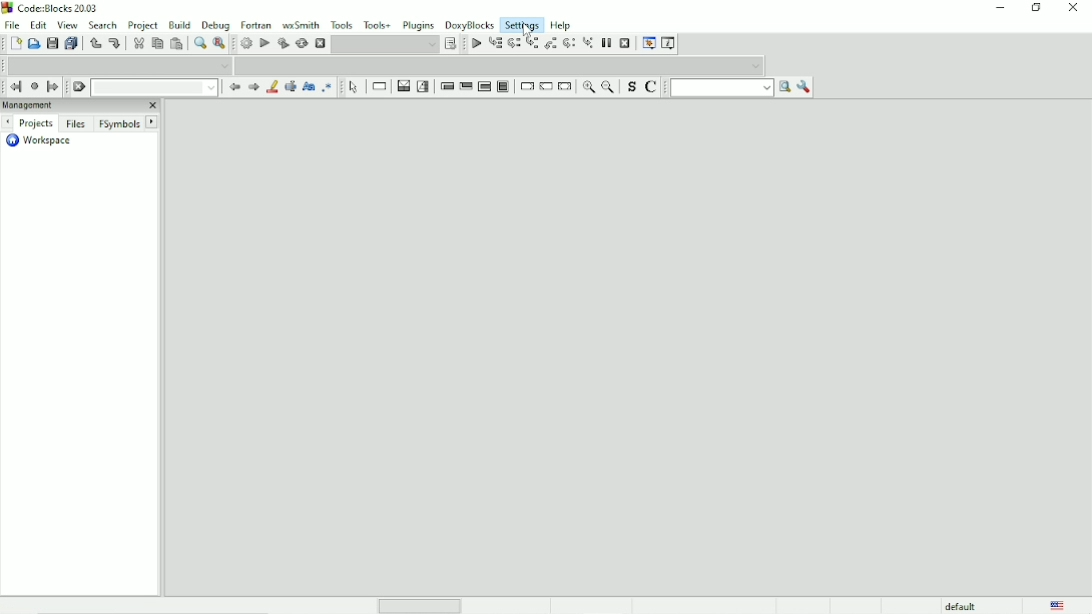  Describe the element at coordinates (69, 24) in the screenshot. I see `View` at that location.